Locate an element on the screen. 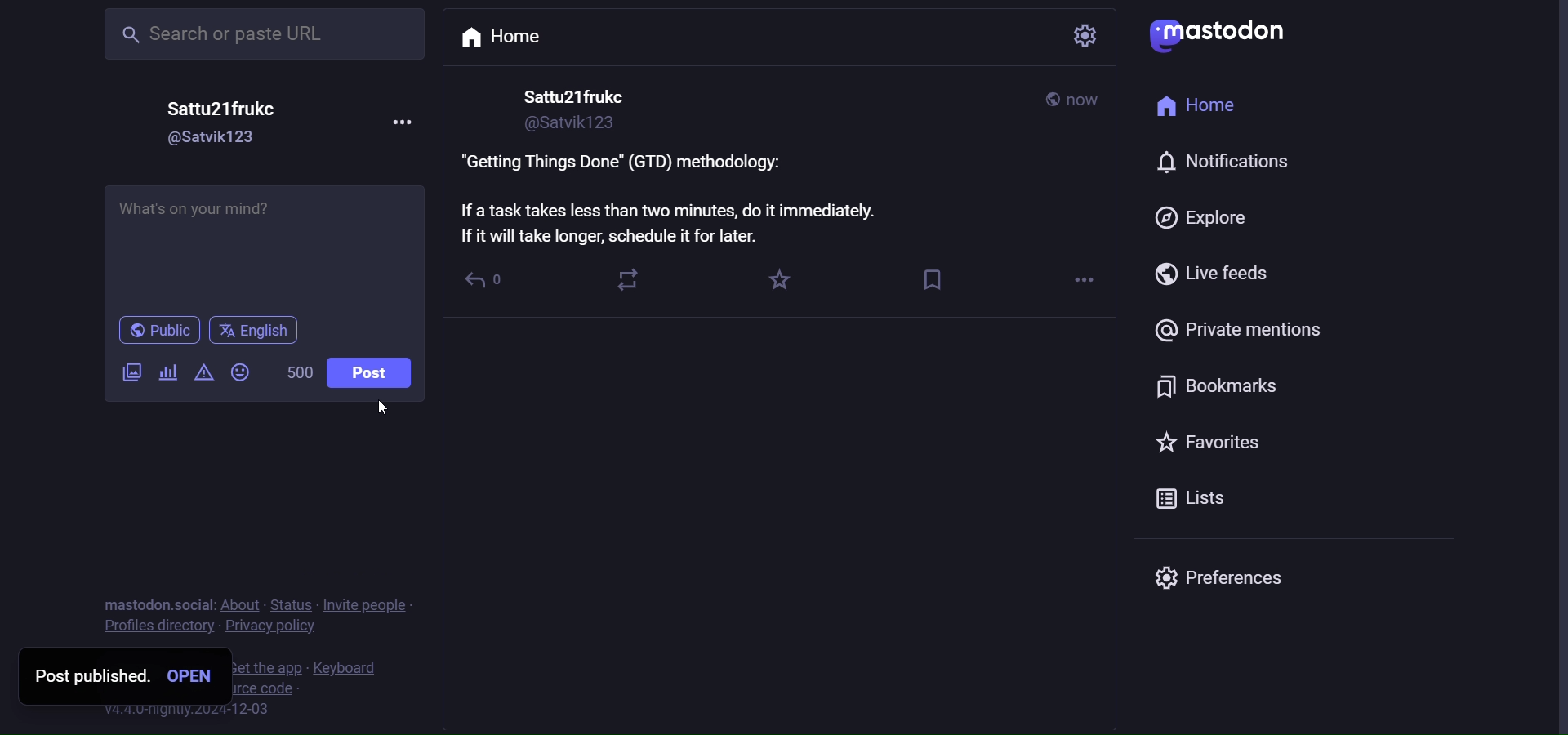  favorites is located at coordinates (1210, 446).